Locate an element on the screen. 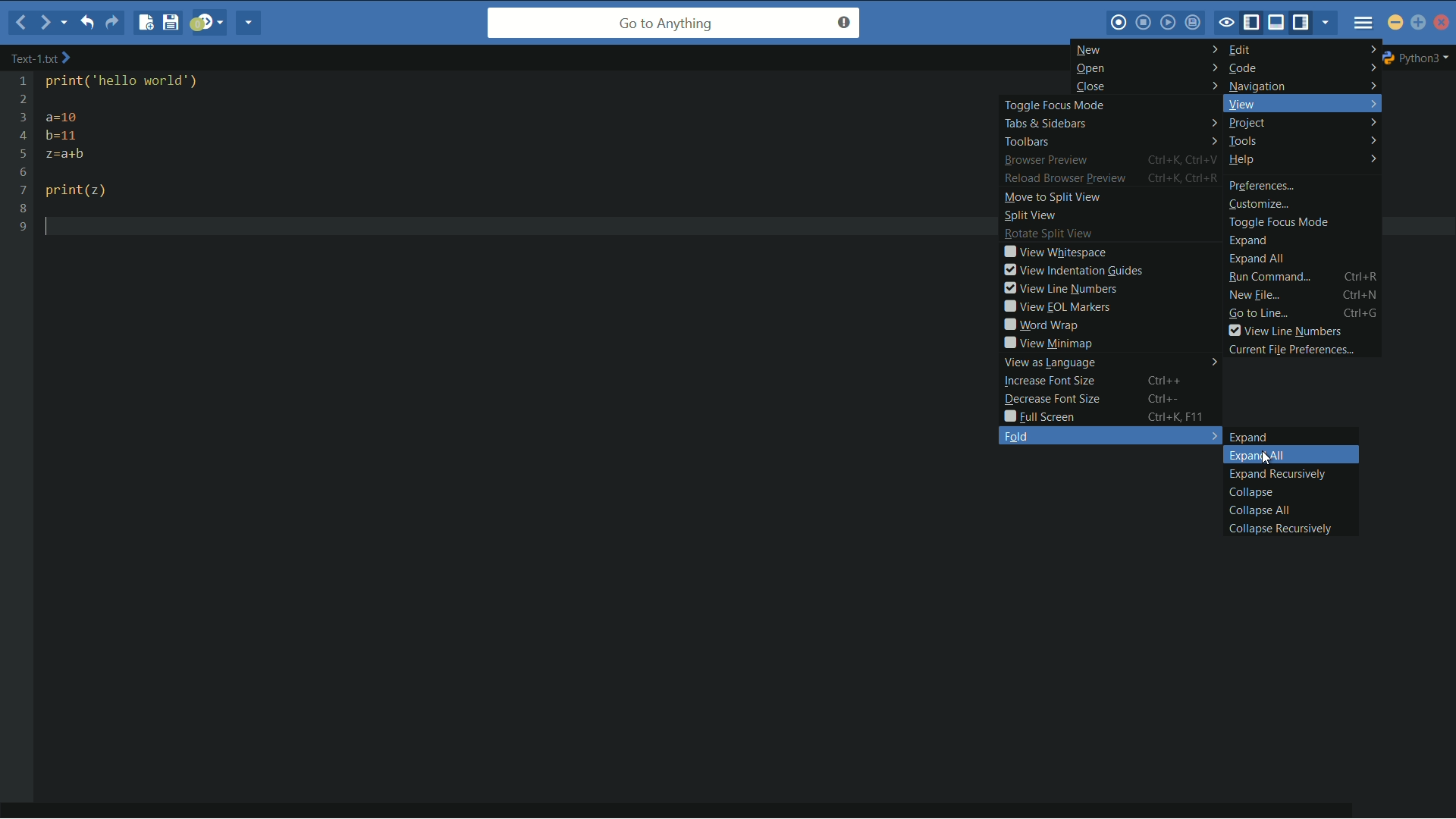  new file is located at coordinates (143, 23).